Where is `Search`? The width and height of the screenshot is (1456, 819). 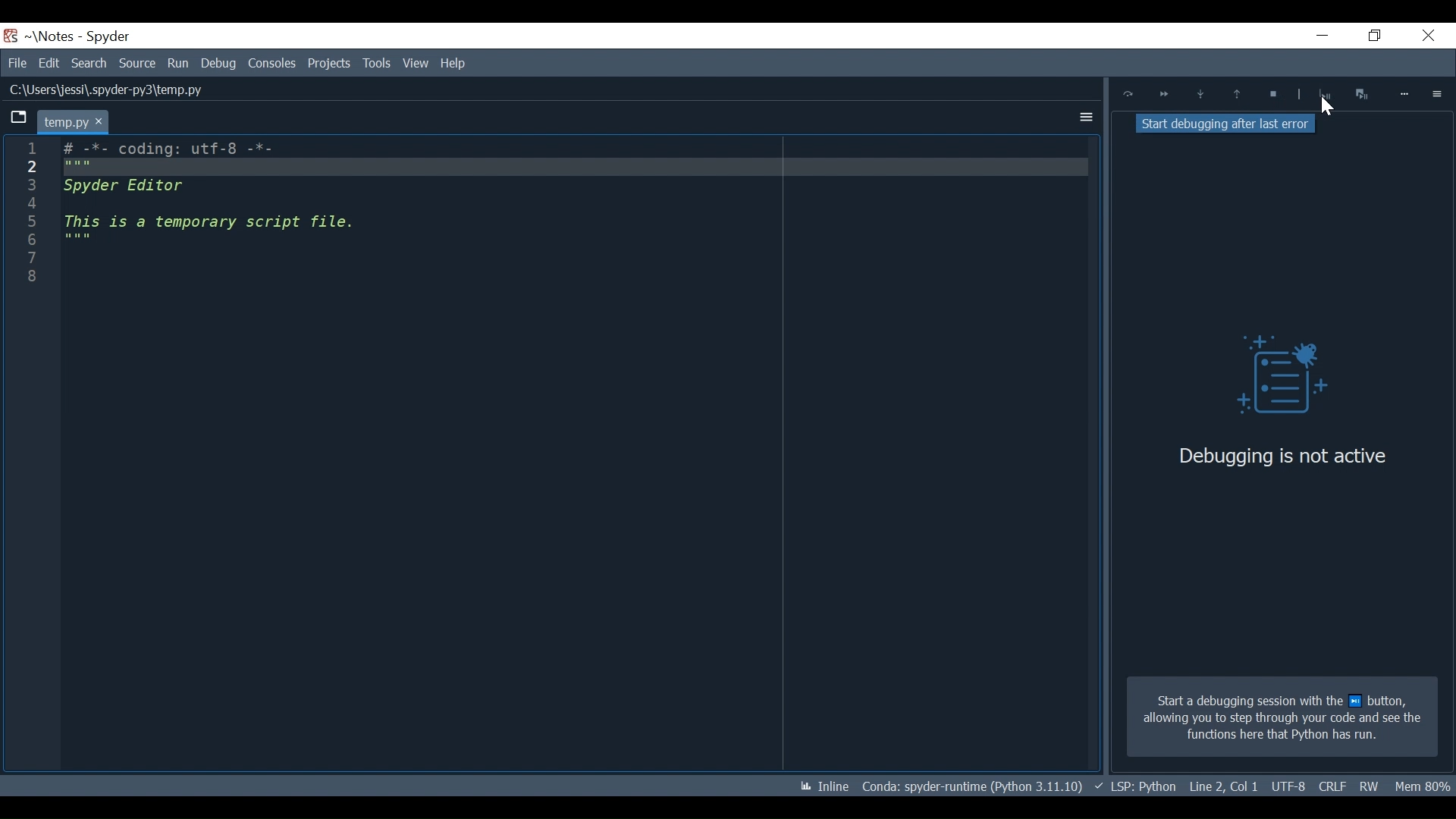 Search is located at coordinates (91, 63).